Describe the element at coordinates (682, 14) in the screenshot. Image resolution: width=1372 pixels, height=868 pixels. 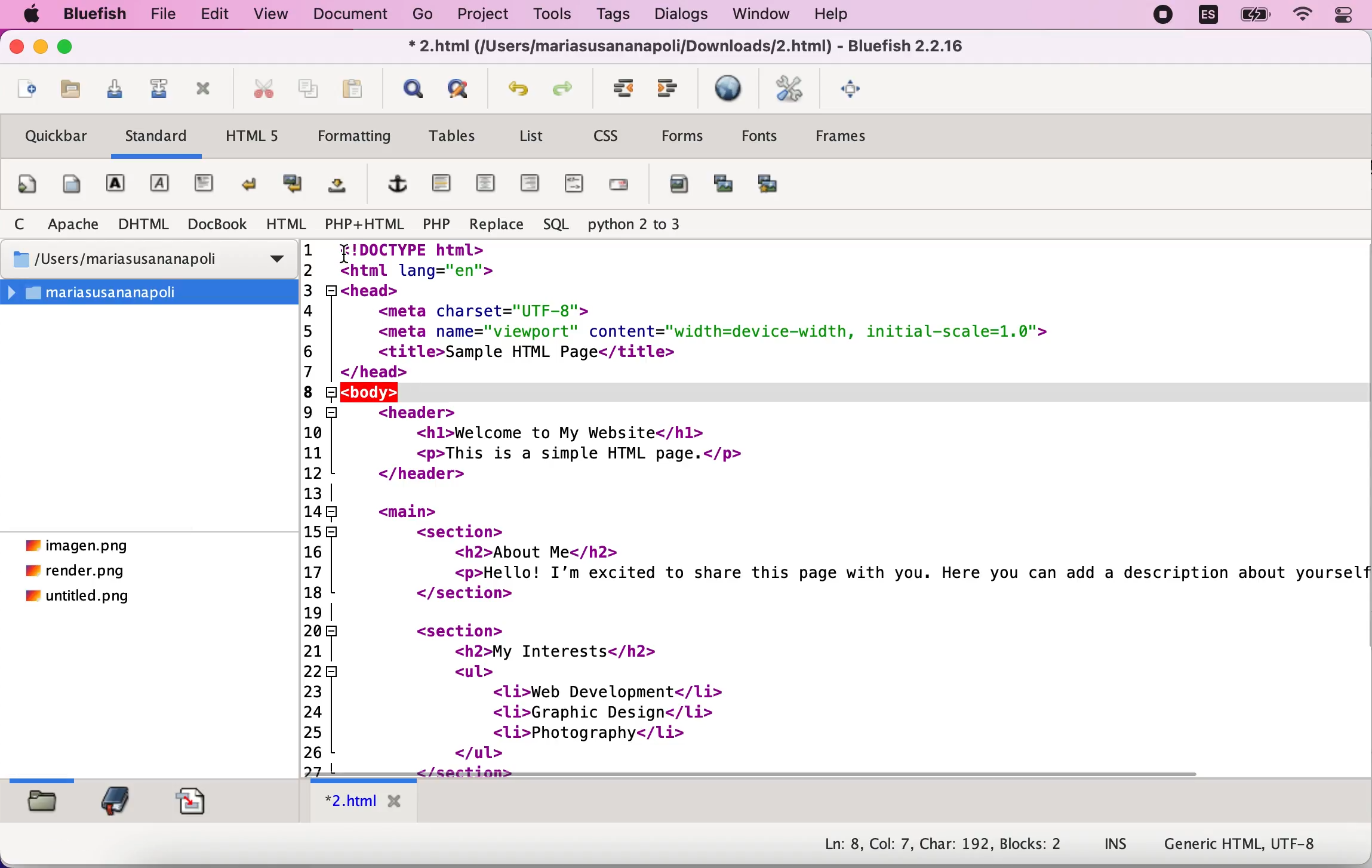
I see `dialogs` at that location.